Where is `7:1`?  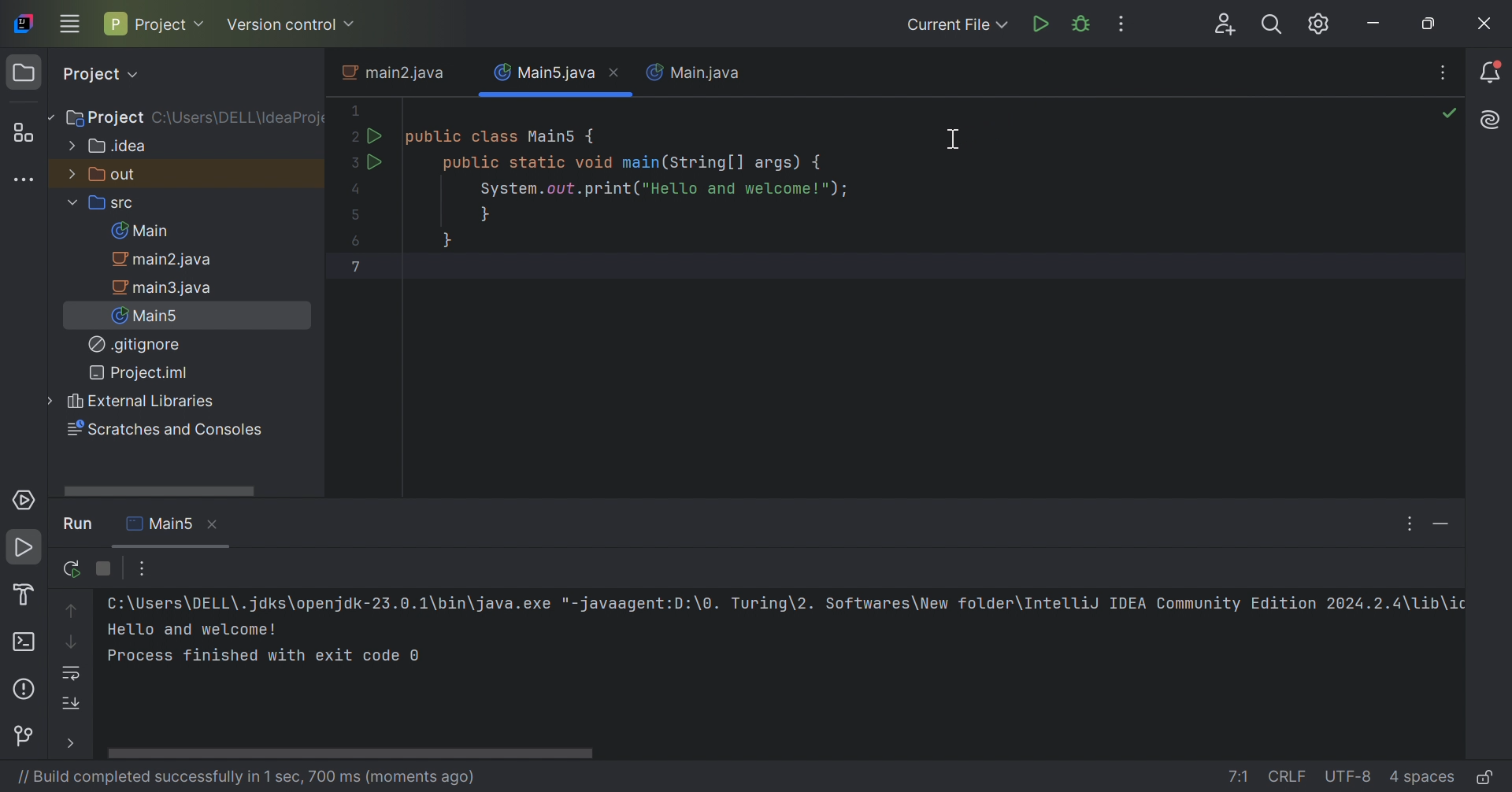
7:1 is located at coordinates (1238, 775).